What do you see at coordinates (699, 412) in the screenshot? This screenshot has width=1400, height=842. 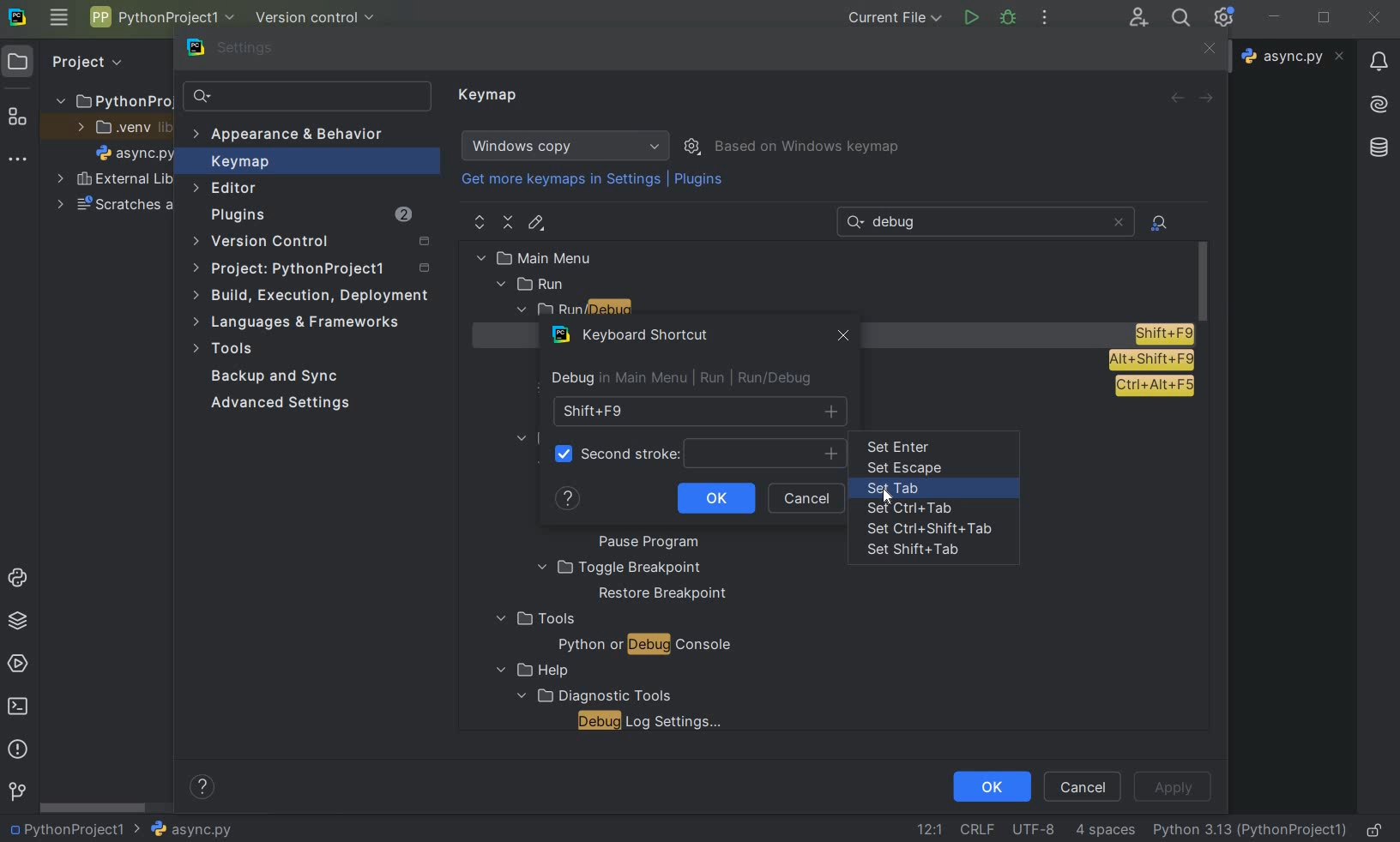 I see `shift+F9` at bounding box center [699, 412].